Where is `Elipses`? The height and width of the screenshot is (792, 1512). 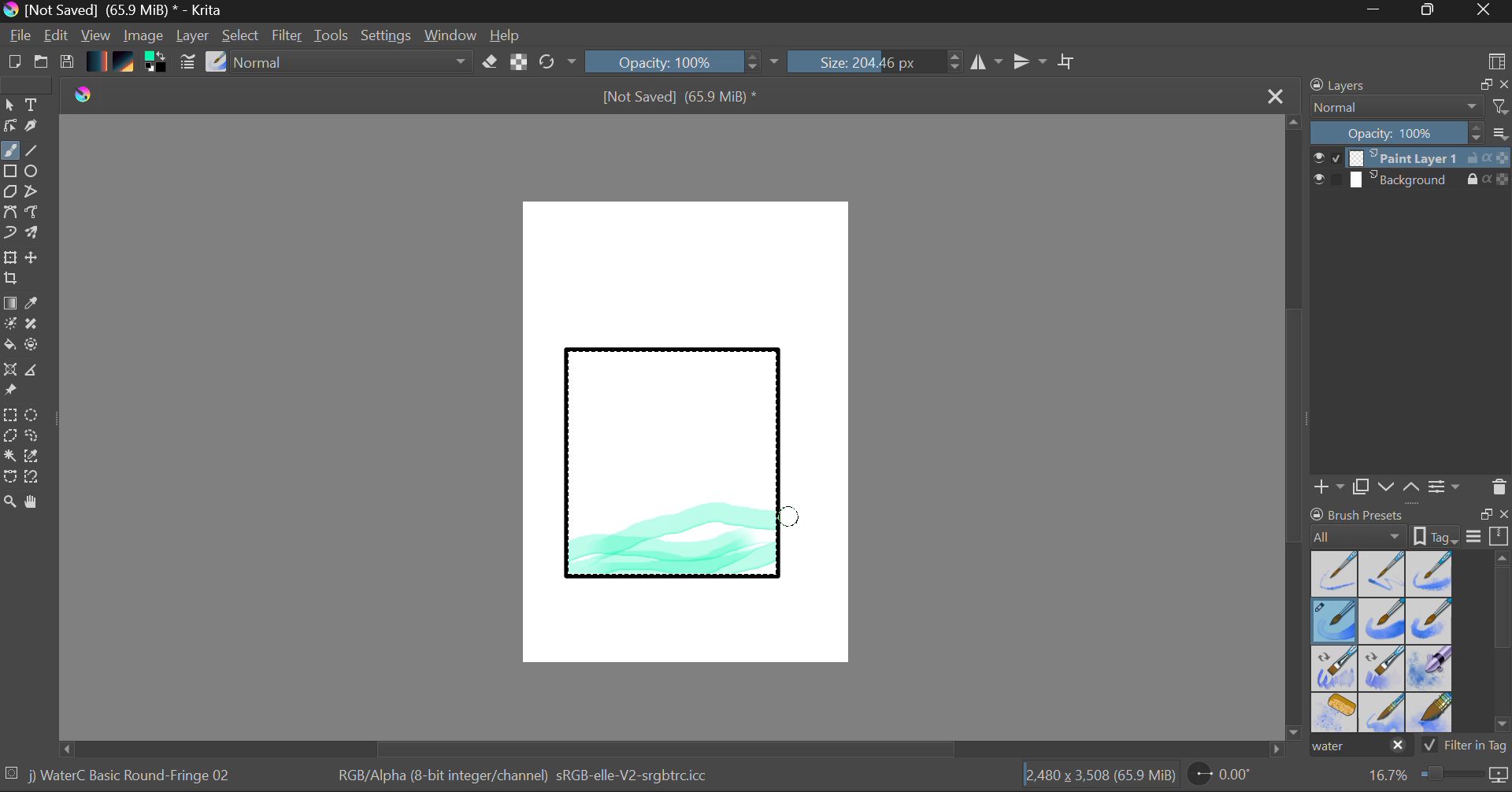 Elipses is located at coordinates (34, 172).